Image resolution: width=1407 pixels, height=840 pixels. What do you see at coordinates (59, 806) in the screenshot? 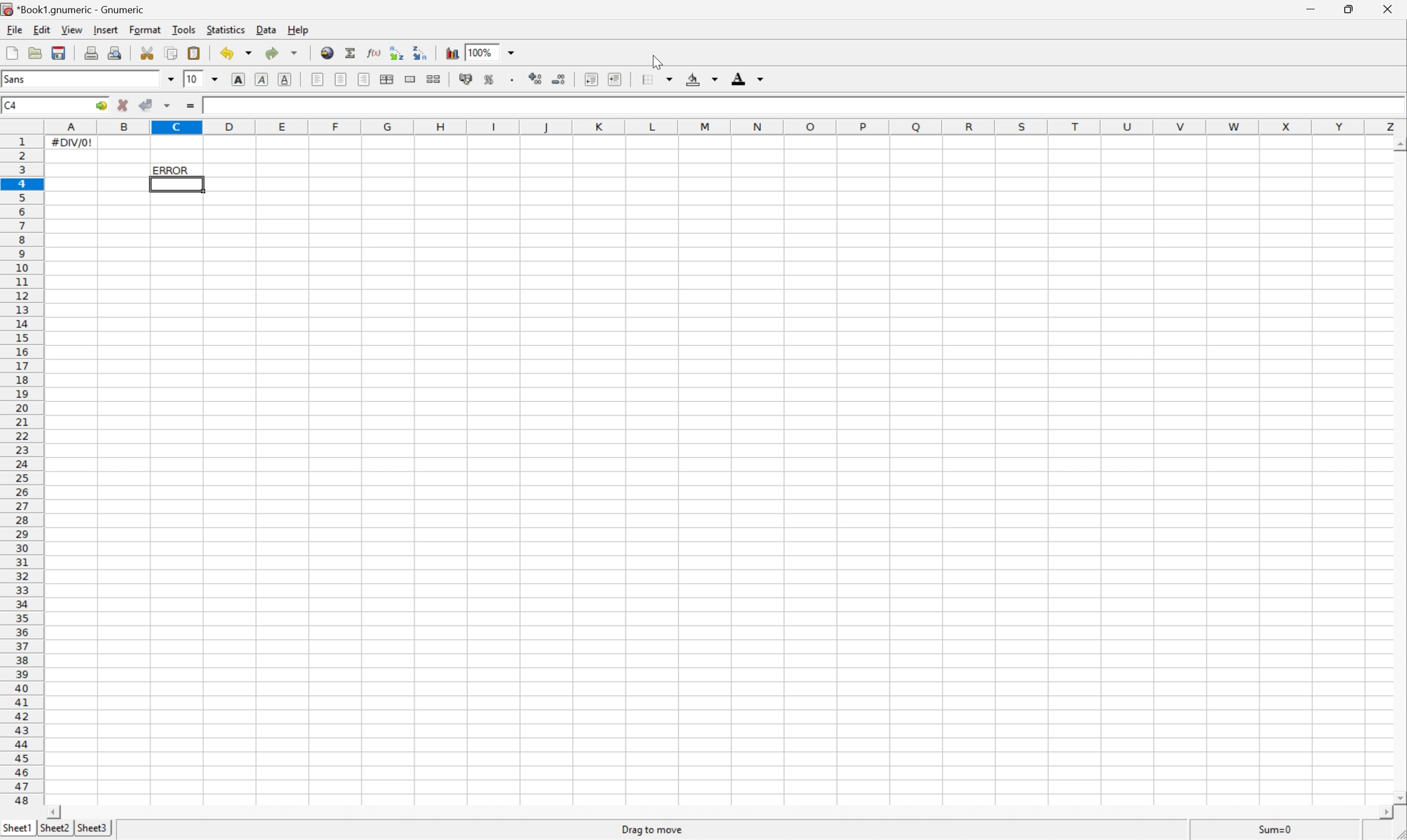
I see `Scroll left` at bounding box center [59, 806].